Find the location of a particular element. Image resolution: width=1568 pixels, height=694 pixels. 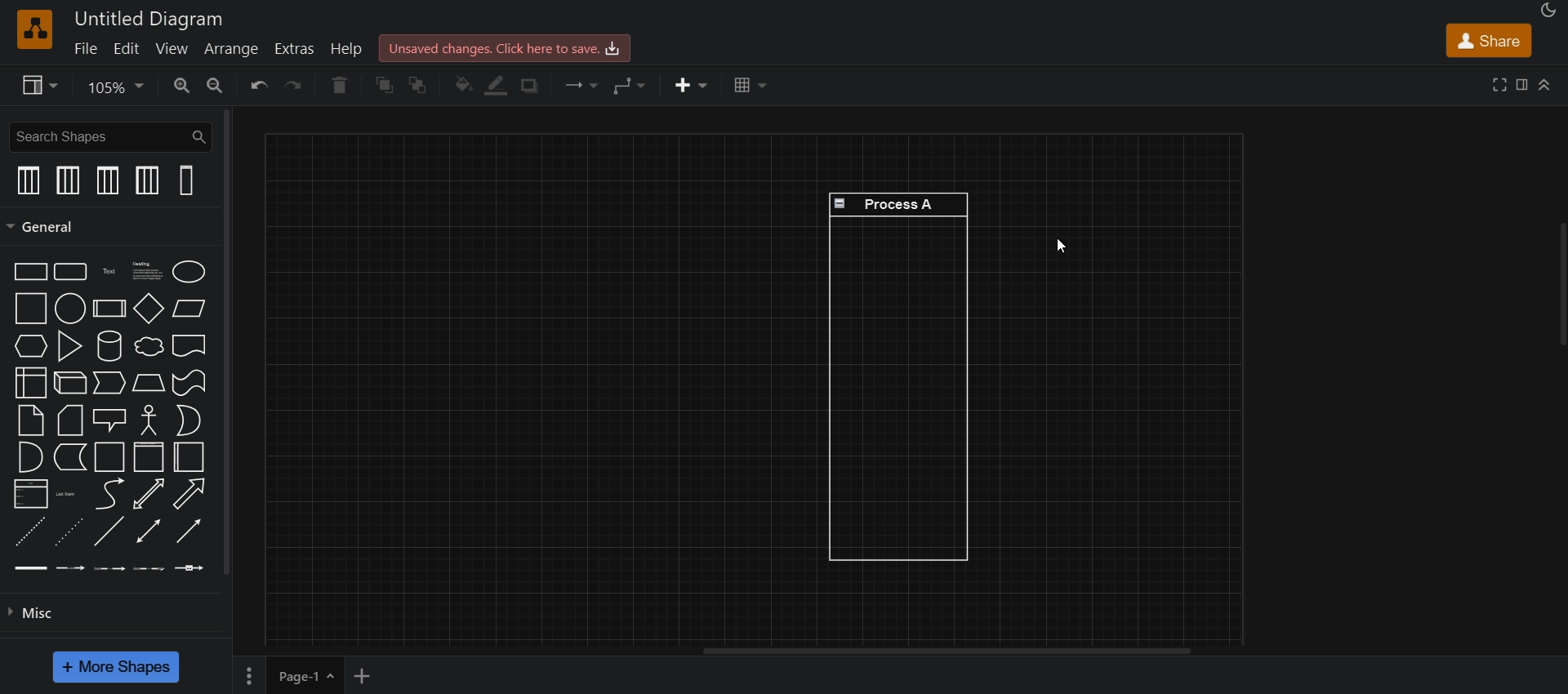

and is located at coordinates (30, 456).